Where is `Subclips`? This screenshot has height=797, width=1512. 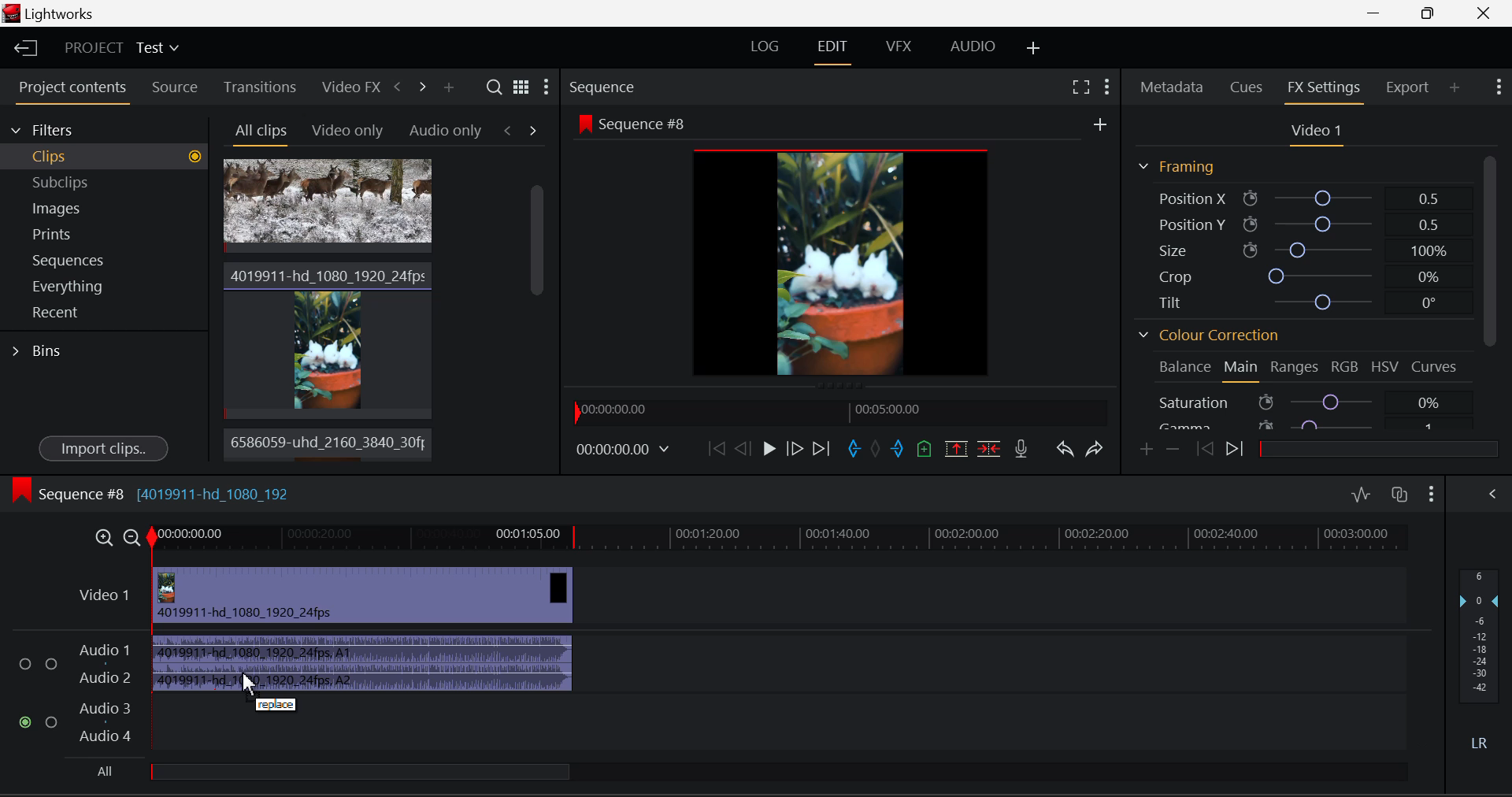
Subclips is located at coordinates (105, 182).